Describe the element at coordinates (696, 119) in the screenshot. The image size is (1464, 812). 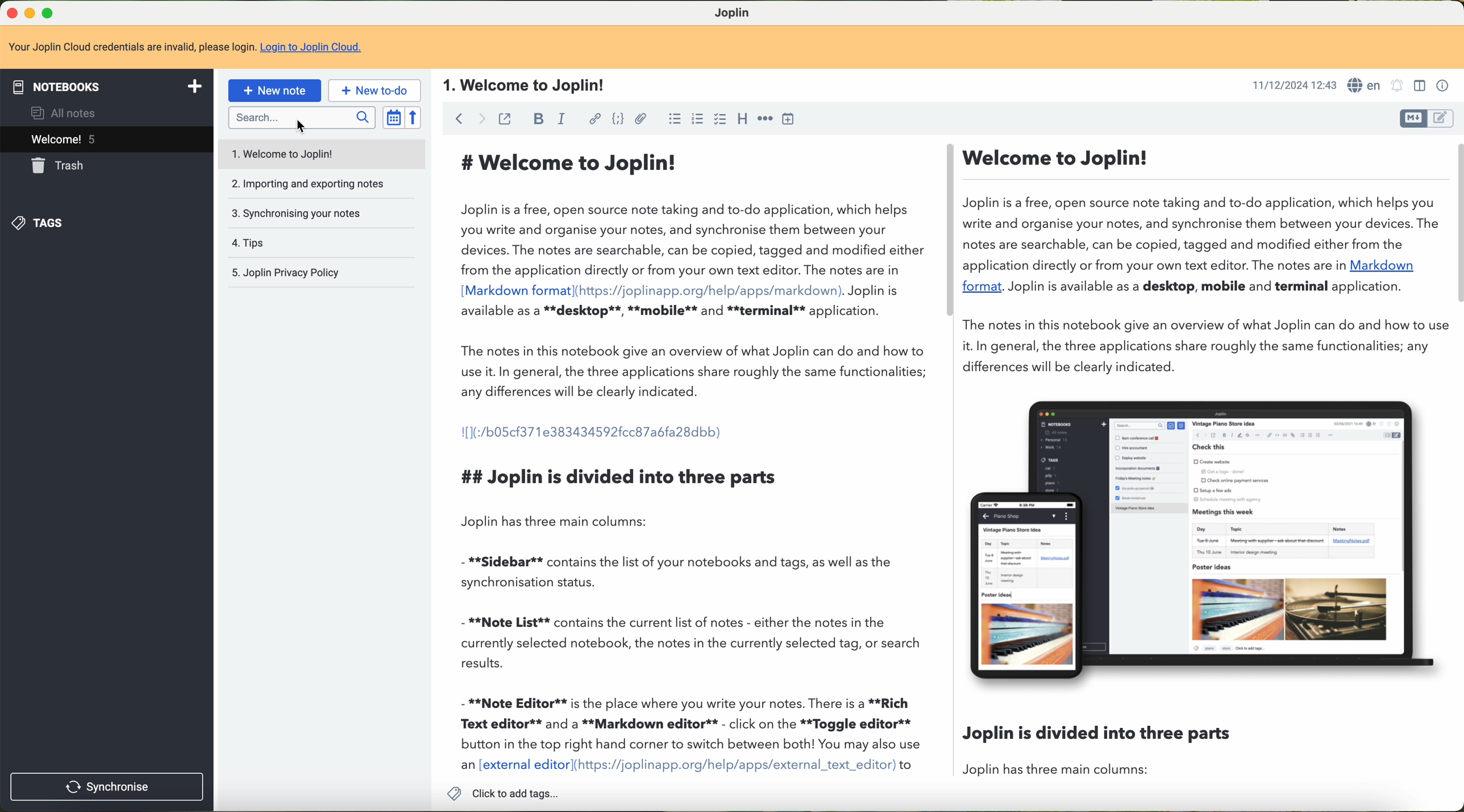
I see `bulleted list` at that location.